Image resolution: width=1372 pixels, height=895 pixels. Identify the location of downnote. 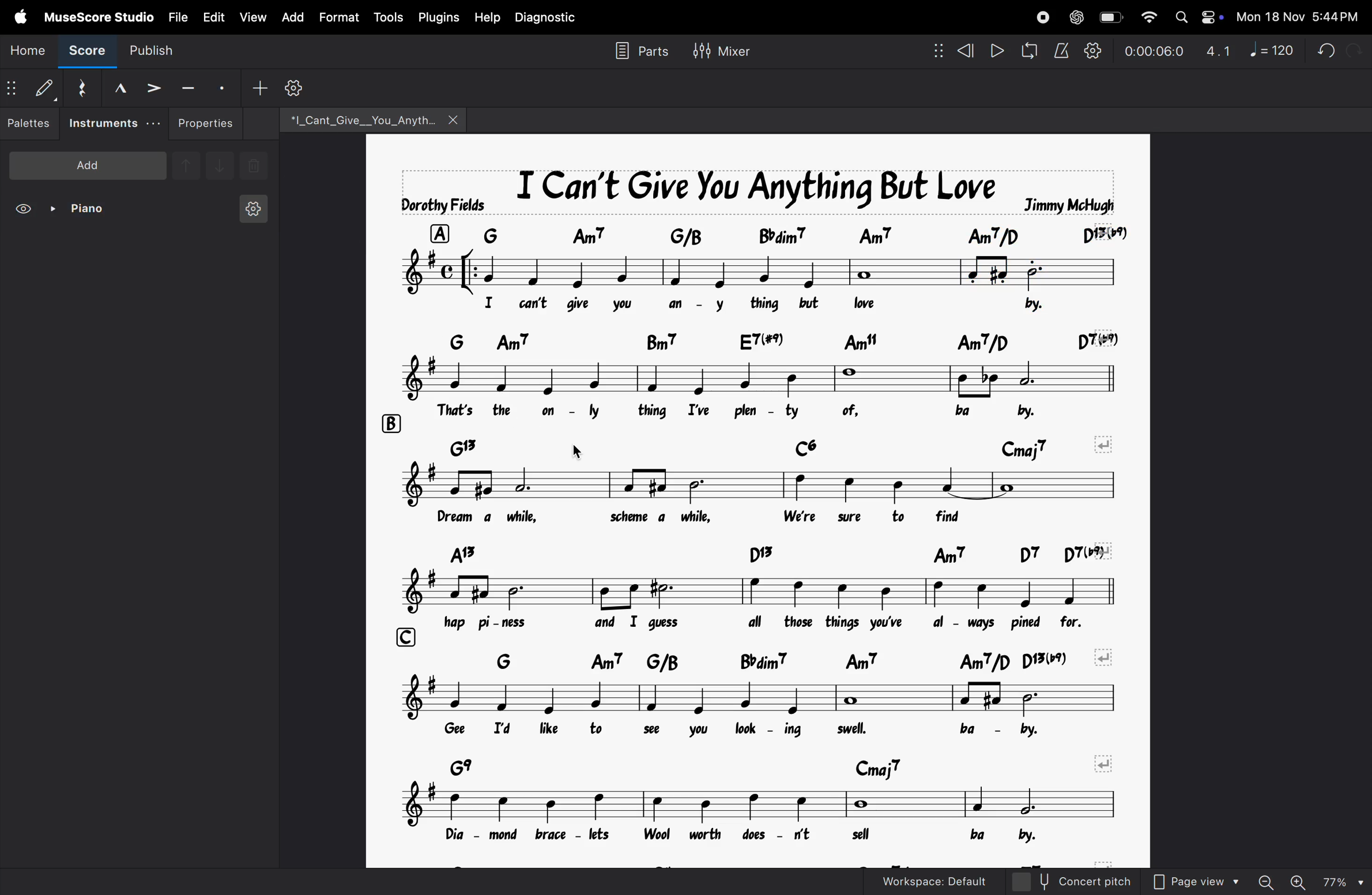
(218, 166).